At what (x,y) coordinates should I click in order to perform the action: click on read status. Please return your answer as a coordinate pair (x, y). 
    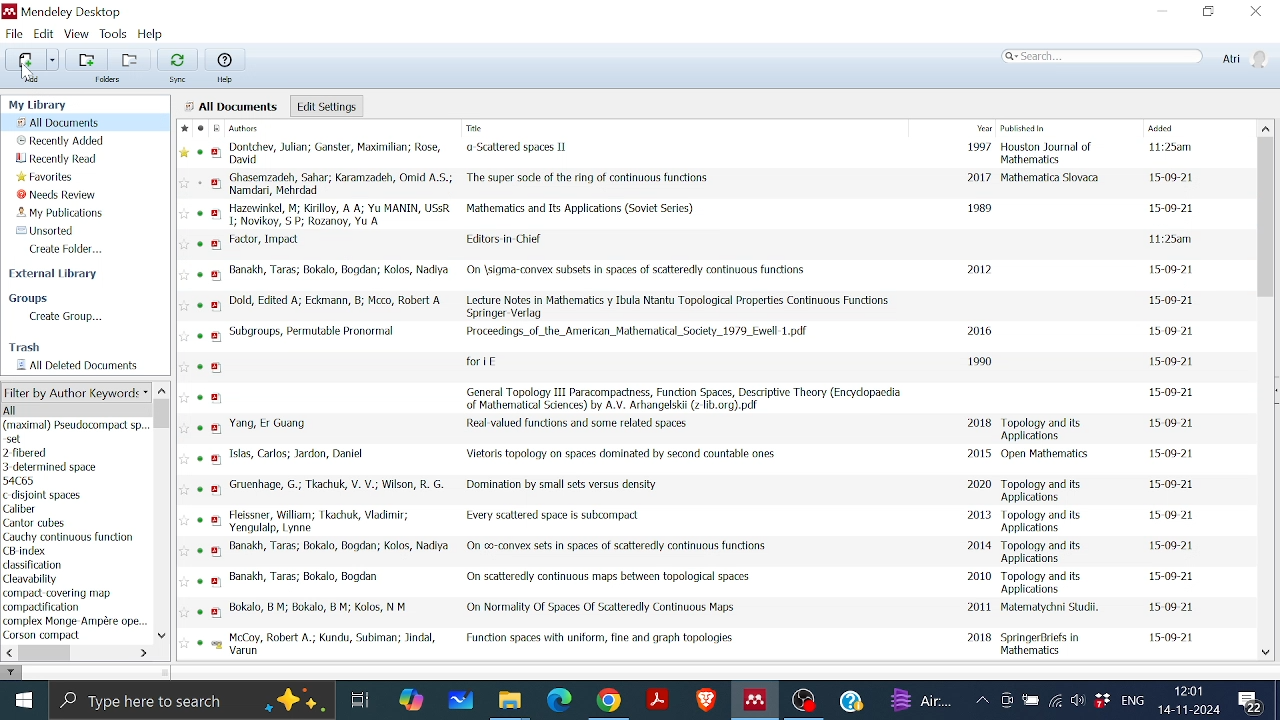
    Looking at the image, I should click on (204, 580).